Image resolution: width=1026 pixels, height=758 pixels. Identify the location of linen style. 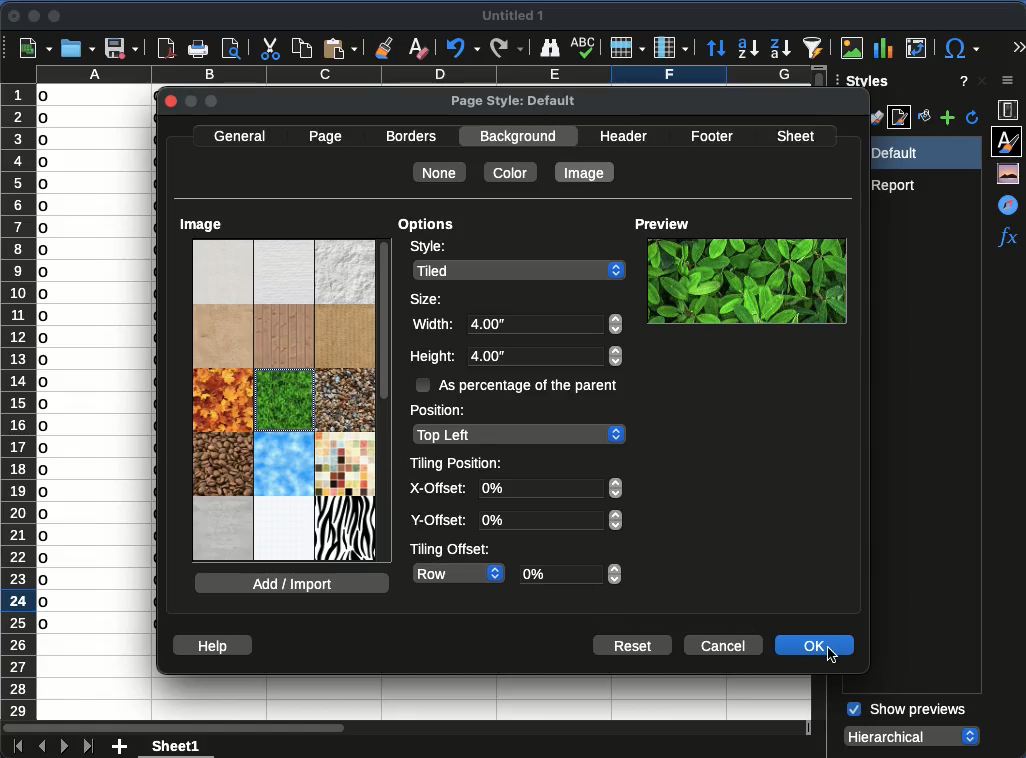
(285, 399).